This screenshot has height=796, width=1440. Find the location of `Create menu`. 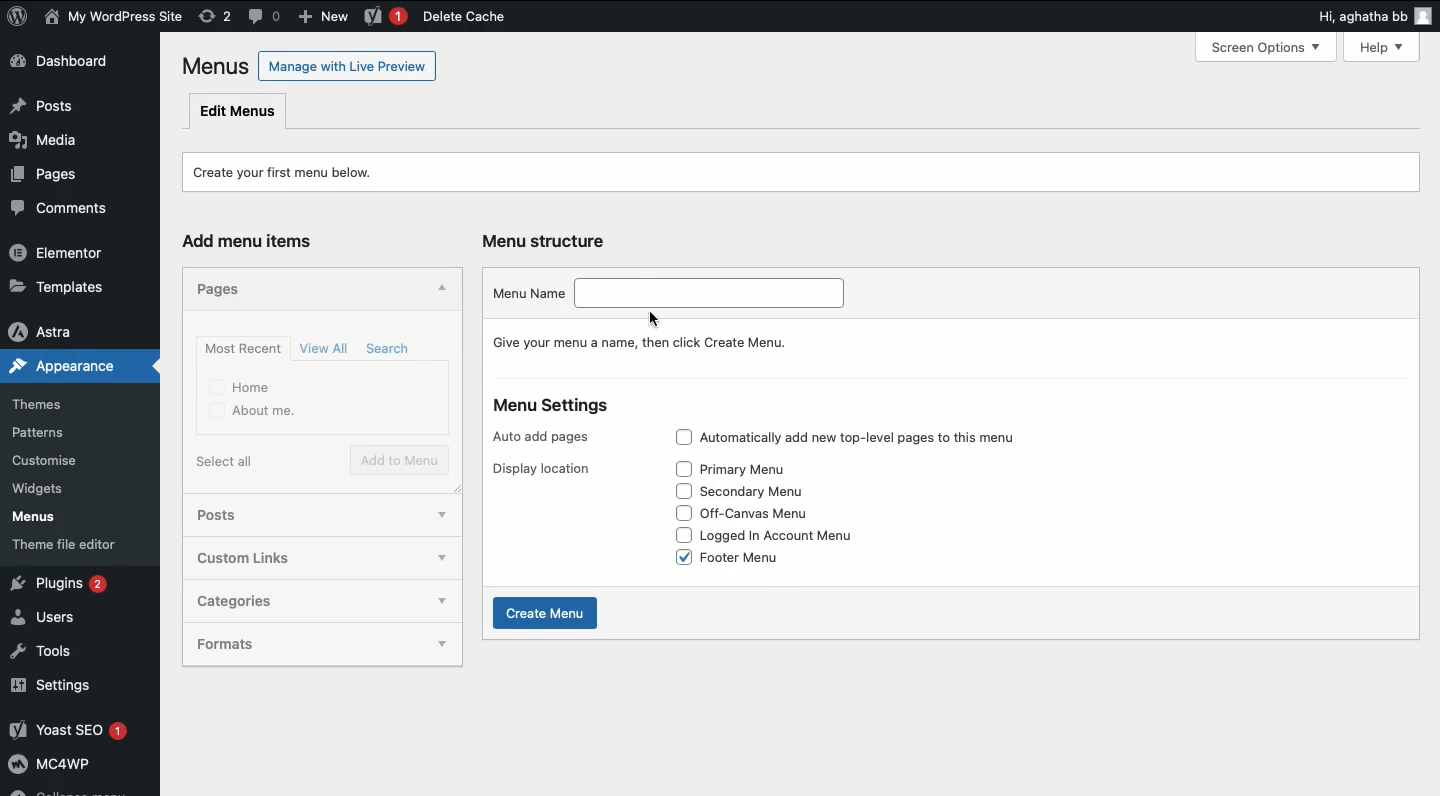

Create menu is located at coordinates (545, 614).